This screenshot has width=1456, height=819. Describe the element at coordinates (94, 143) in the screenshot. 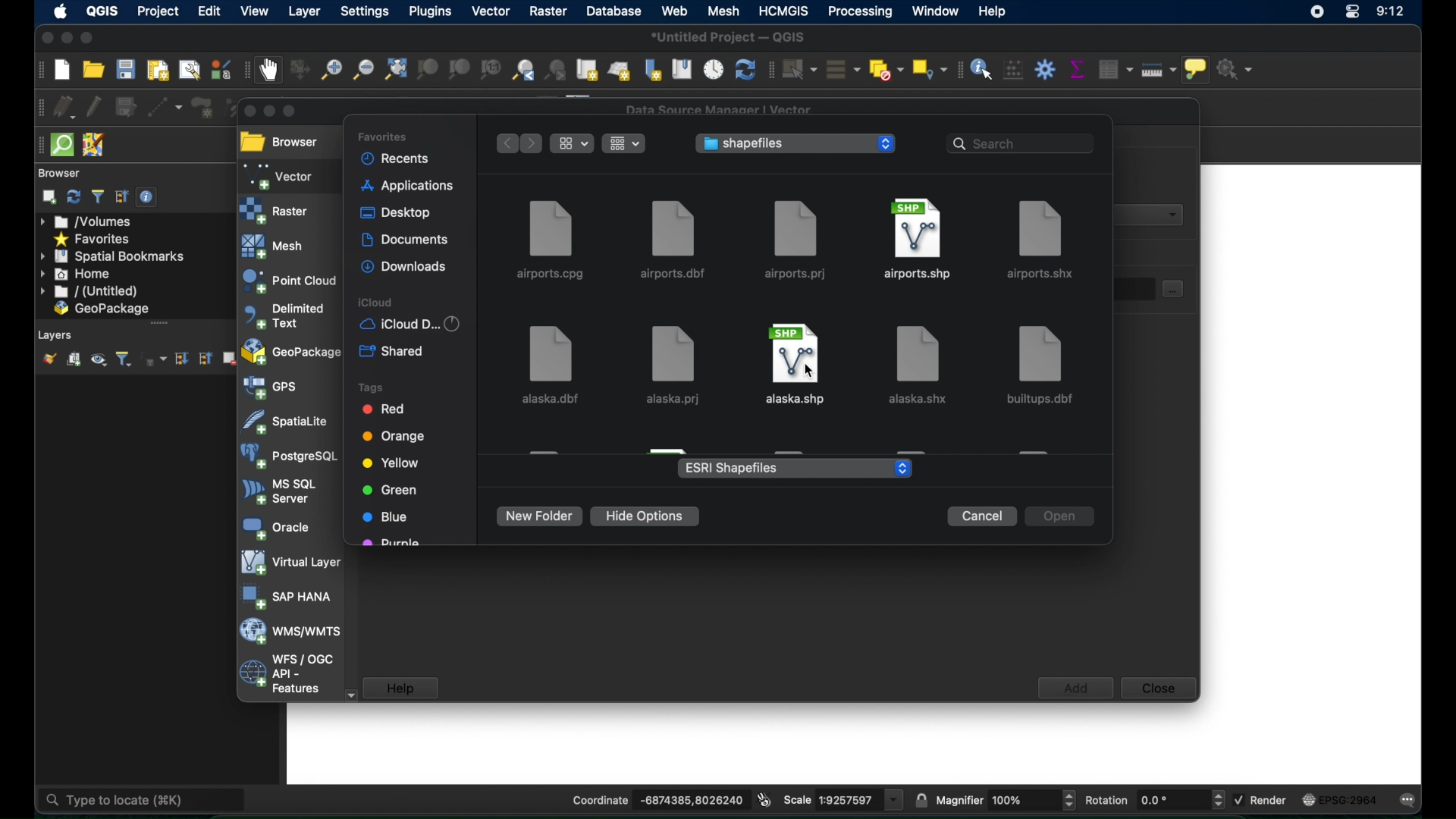

I see `josh remote` at that location.